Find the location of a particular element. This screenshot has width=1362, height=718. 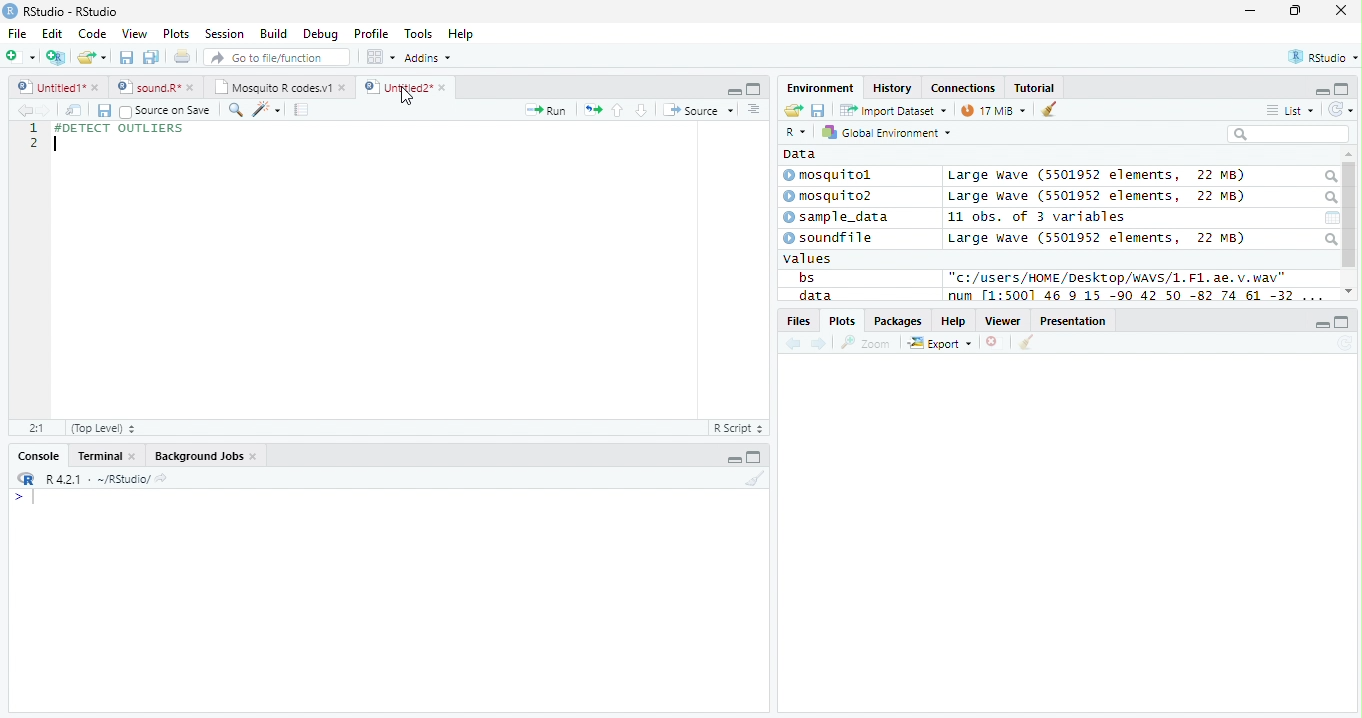

R Script is located at coordinates (739, 427).